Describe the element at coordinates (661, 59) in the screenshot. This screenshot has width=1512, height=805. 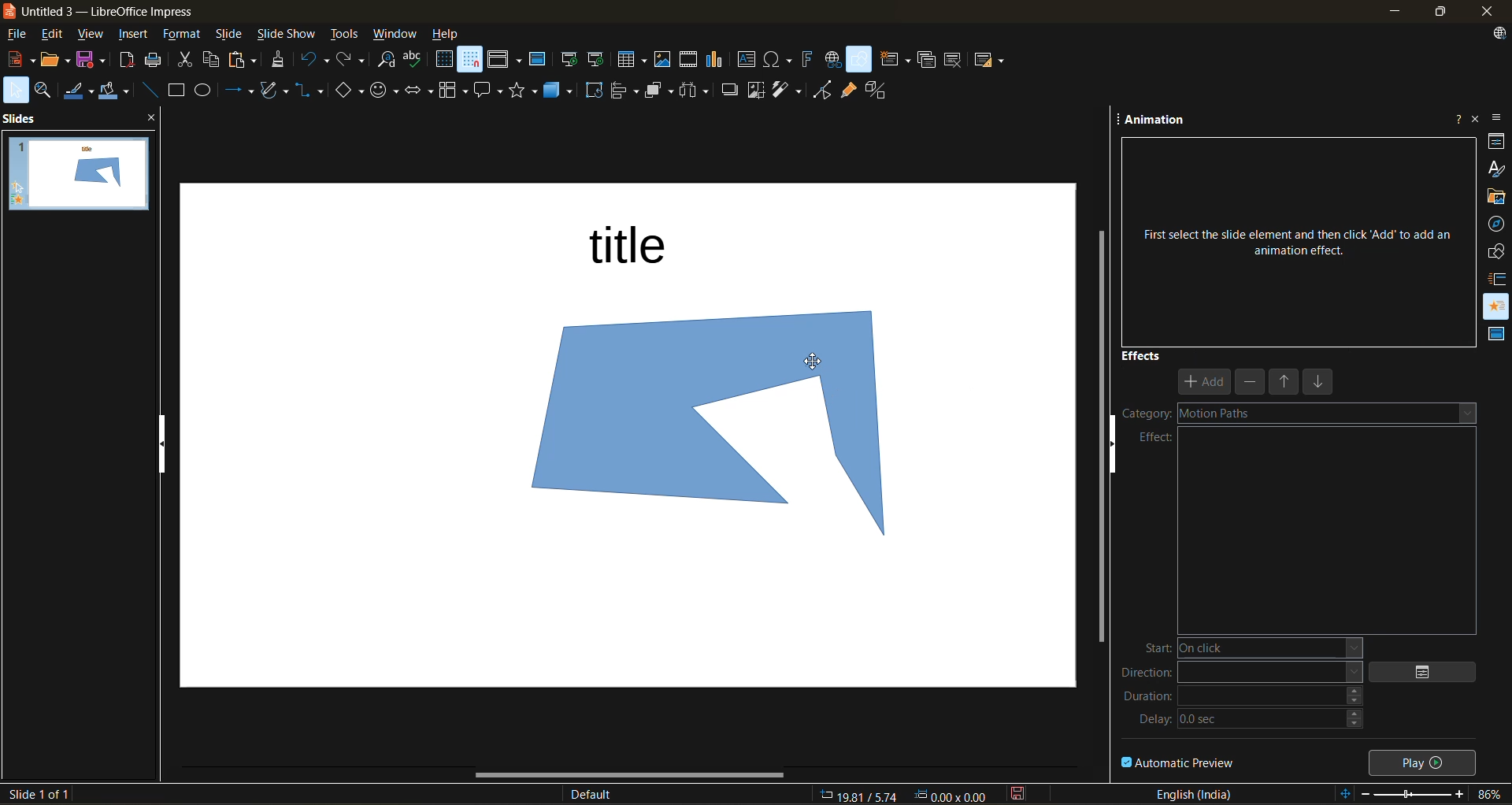
I see `insert image` at that location.